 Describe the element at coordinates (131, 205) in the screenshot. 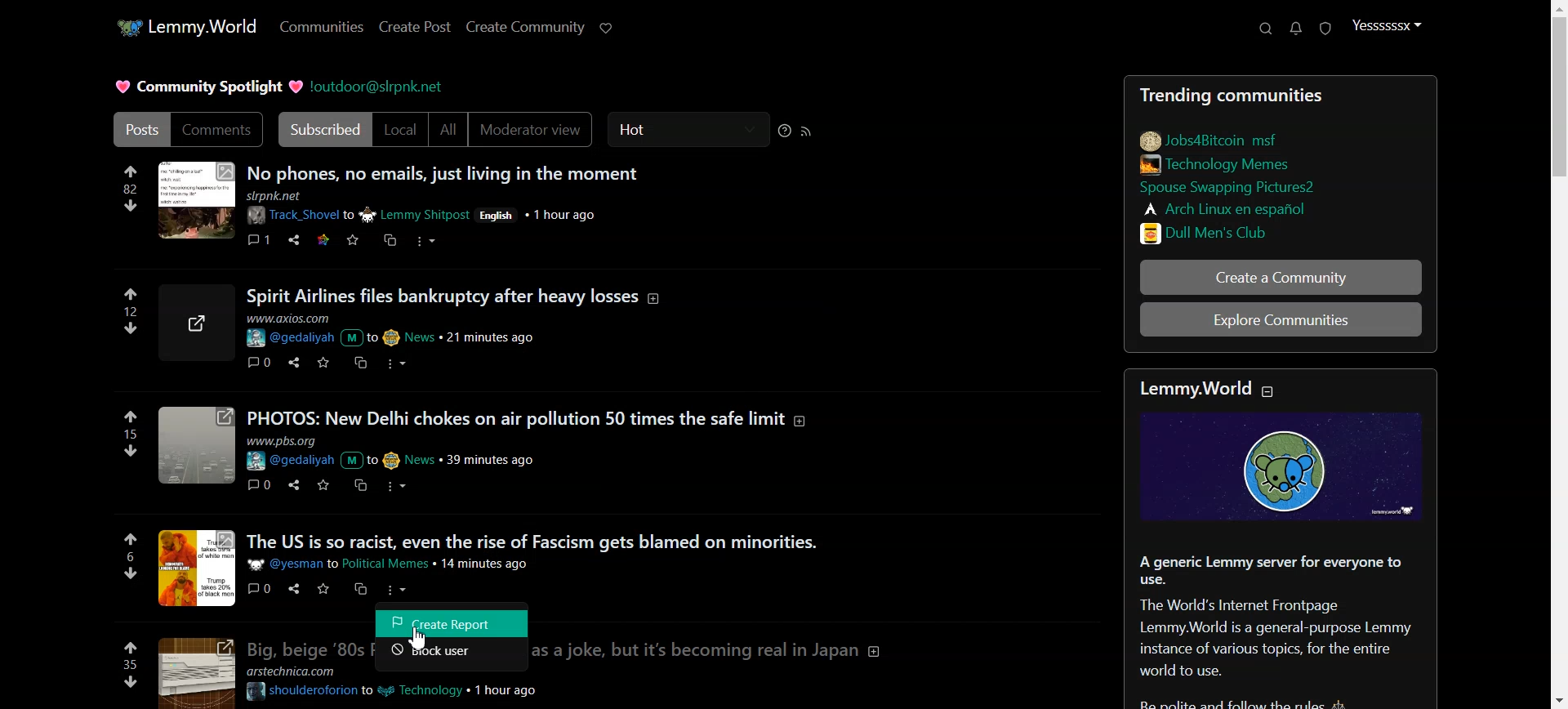

I see `downvote` at that location.